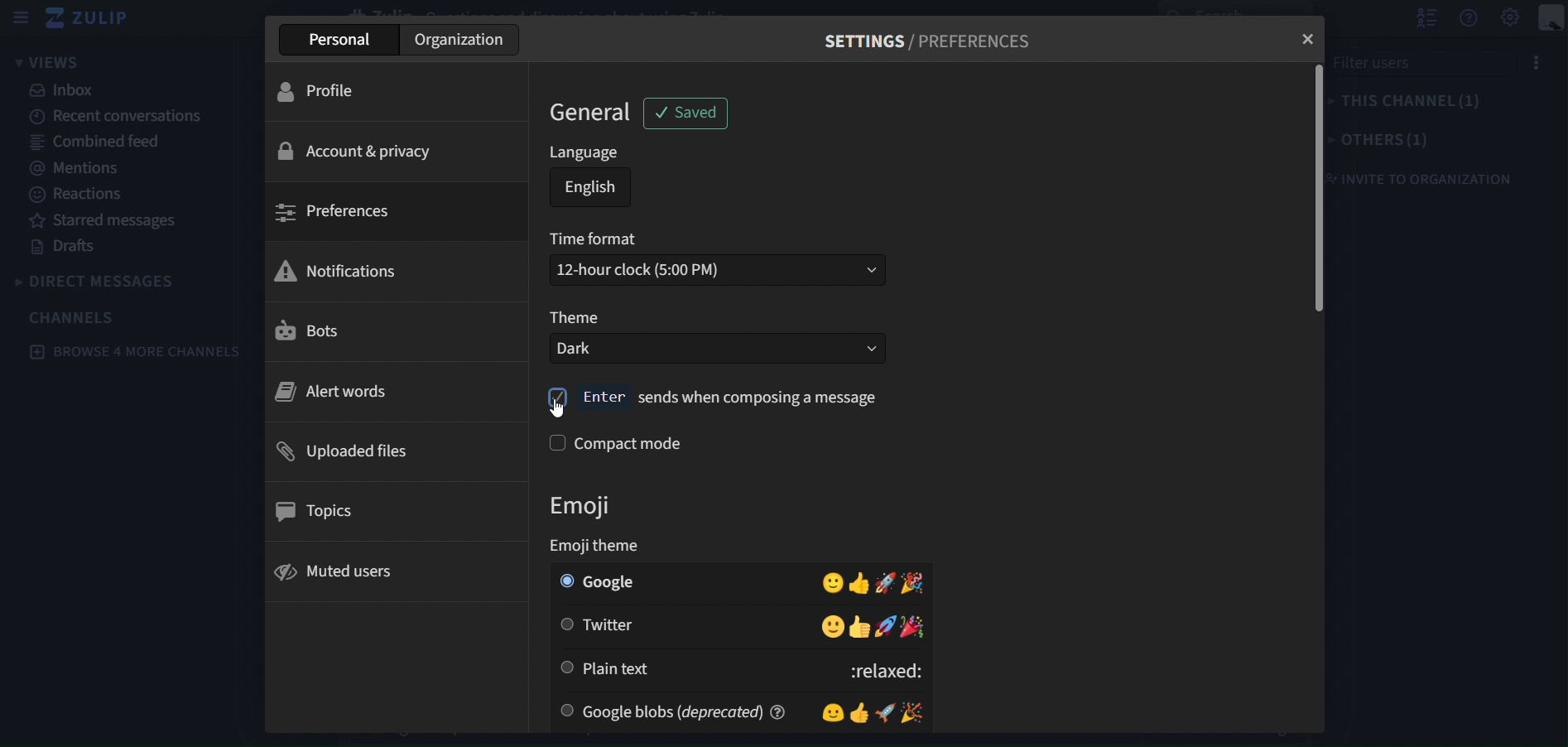 Image resolution: width=1568 pixels, height=747 pixels. I want to click on enter sends when composing message, so click(713, 396).